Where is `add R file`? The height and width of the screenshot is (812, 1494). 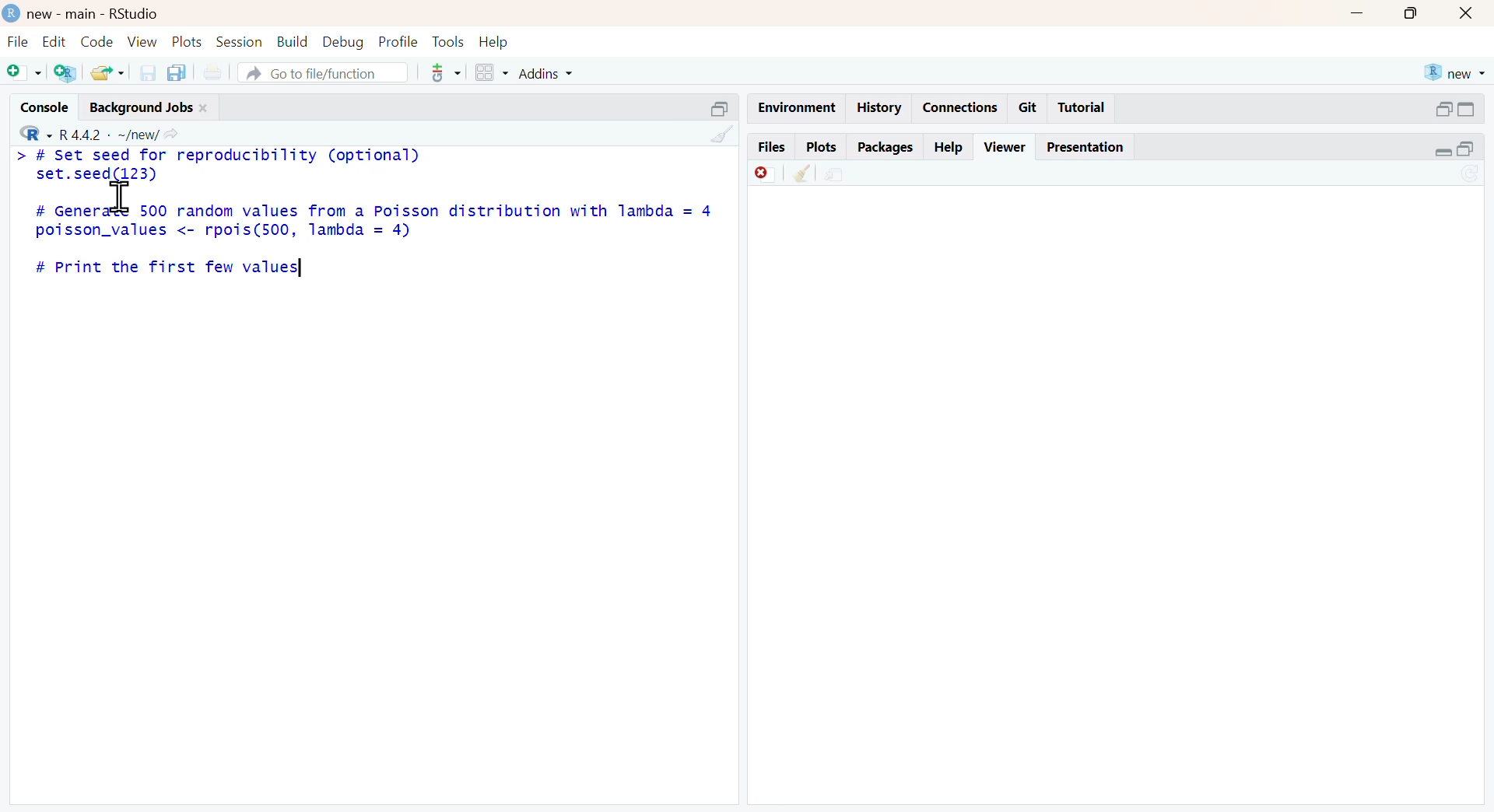
add R file is located at coordinates (68, 72).